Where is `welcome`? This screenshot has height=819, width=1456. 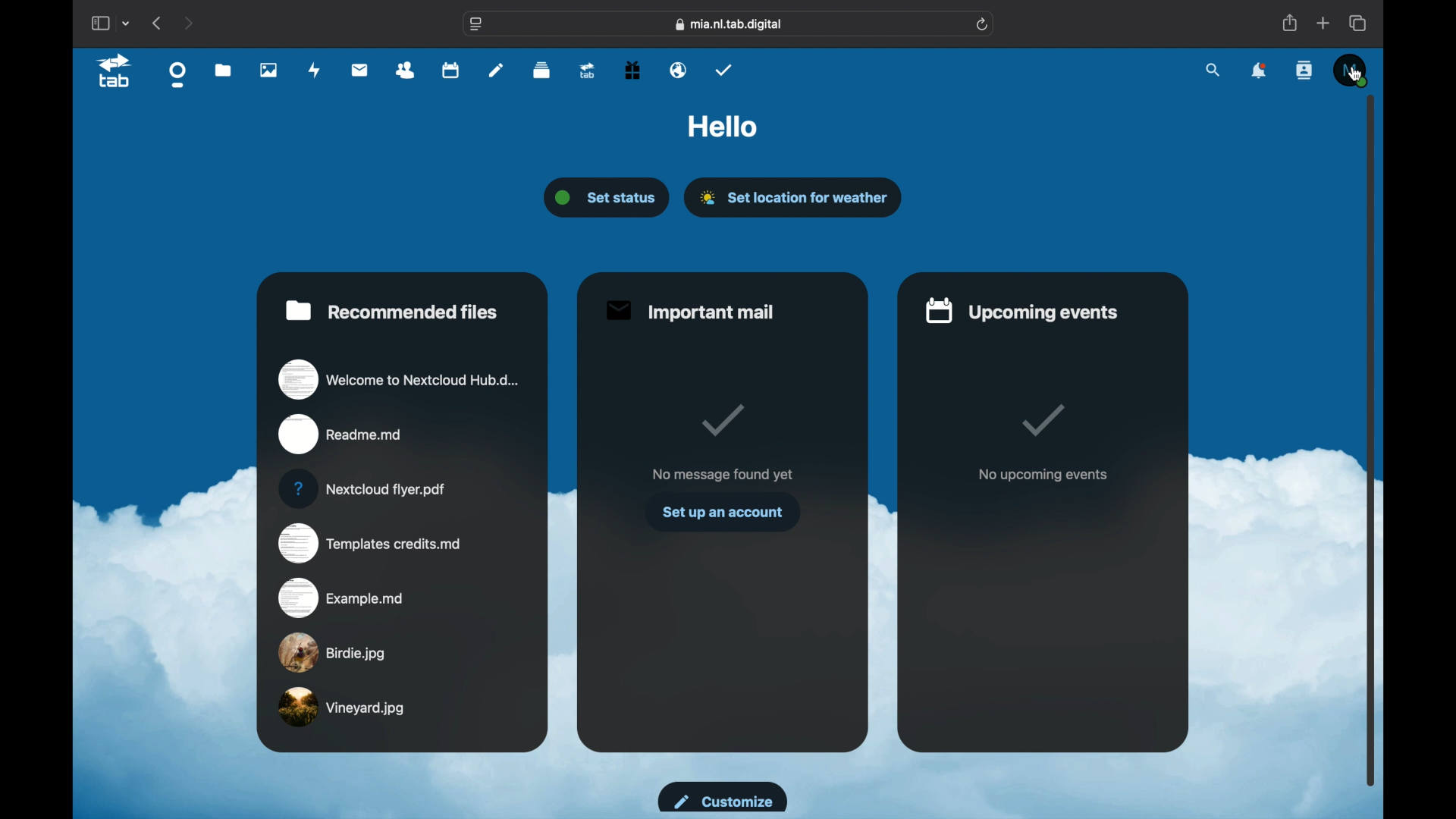 welcome is located at coordinates (399, 378).